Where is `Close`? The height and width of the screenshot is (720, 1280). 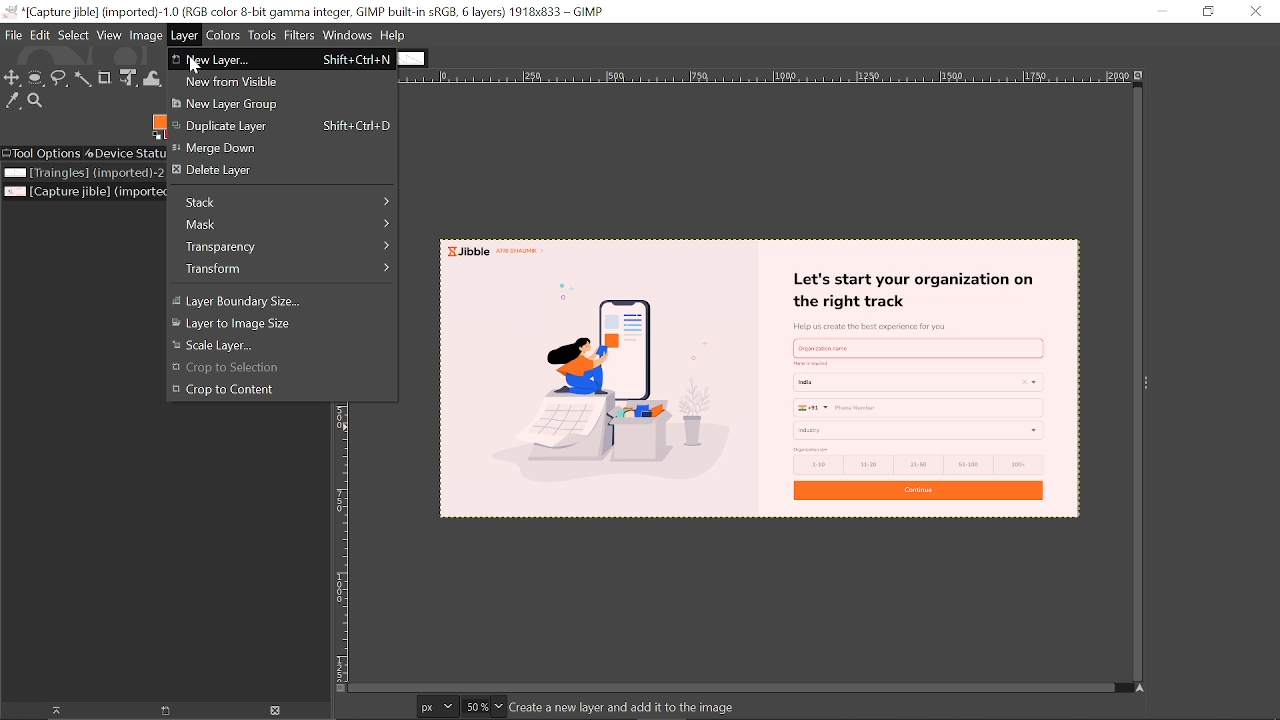
Close is located at coordinates (1257, 13).